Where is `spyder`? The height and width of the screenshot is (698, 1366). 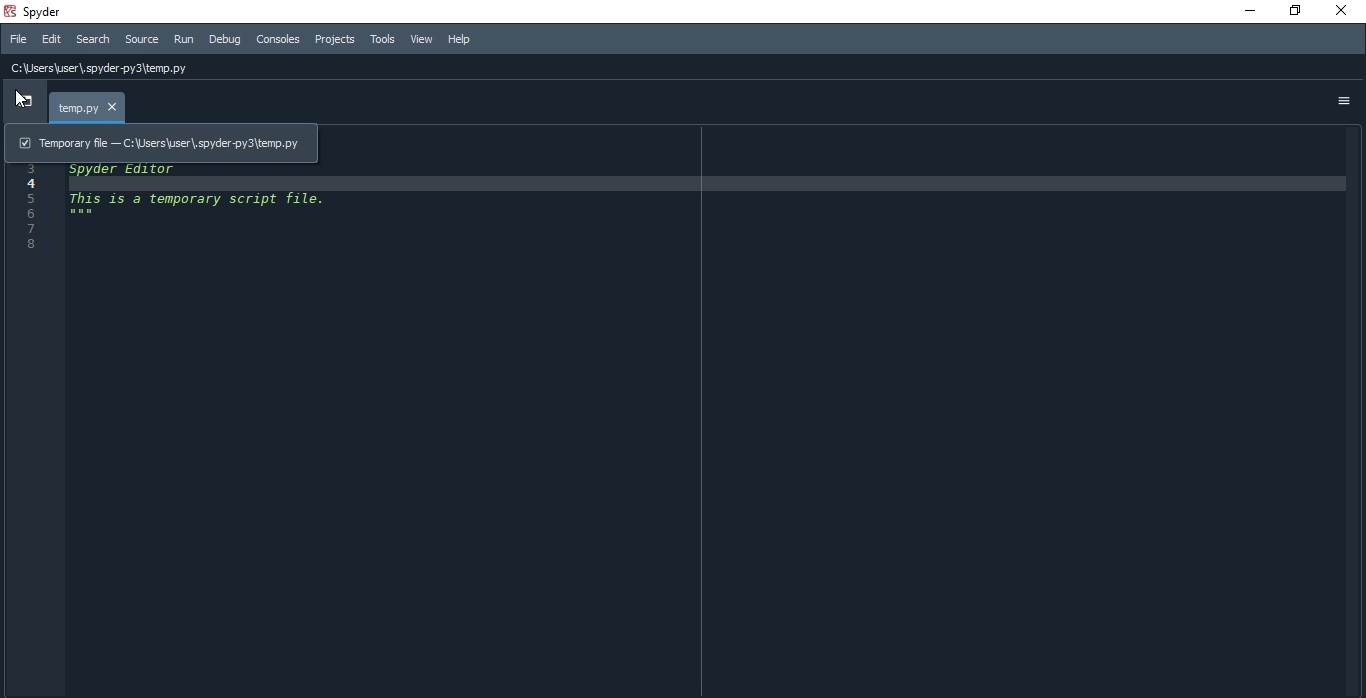 spyder is located at coordinates (59, 11).